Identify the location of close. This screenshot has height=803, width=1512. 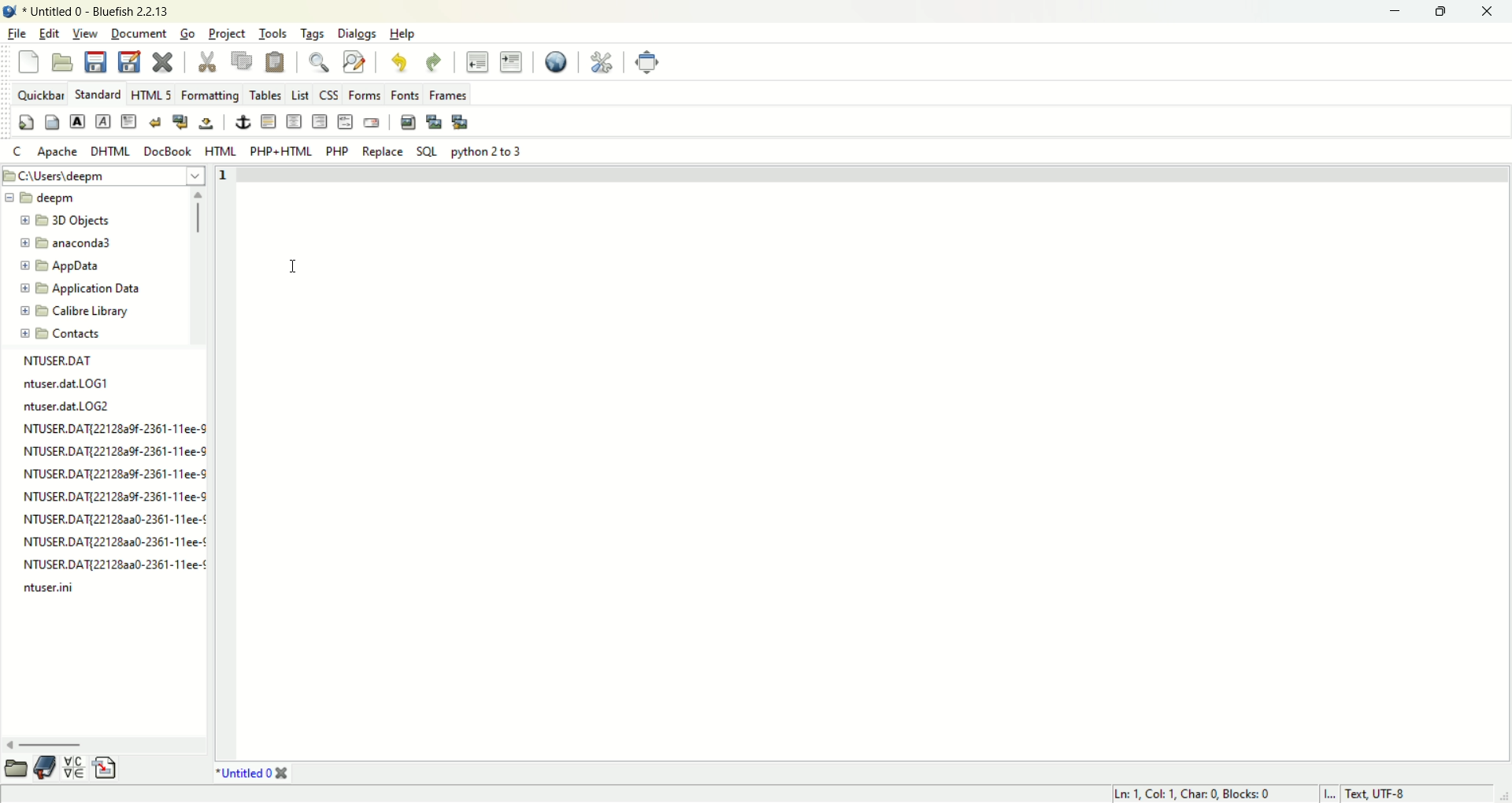
(1488, 13).